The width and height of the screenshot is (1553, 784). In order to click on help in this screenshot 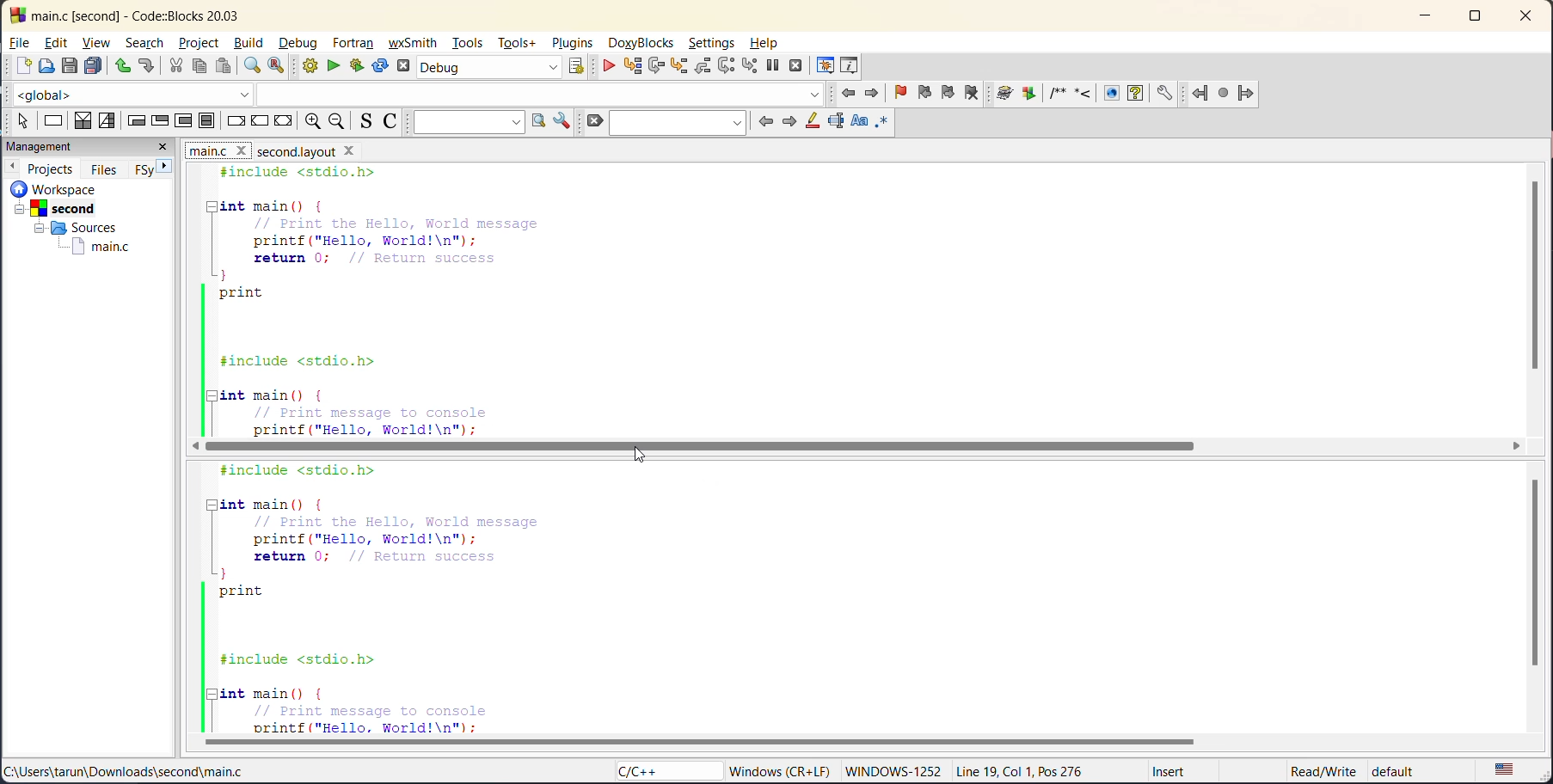, I will do `click(771, 43)`.